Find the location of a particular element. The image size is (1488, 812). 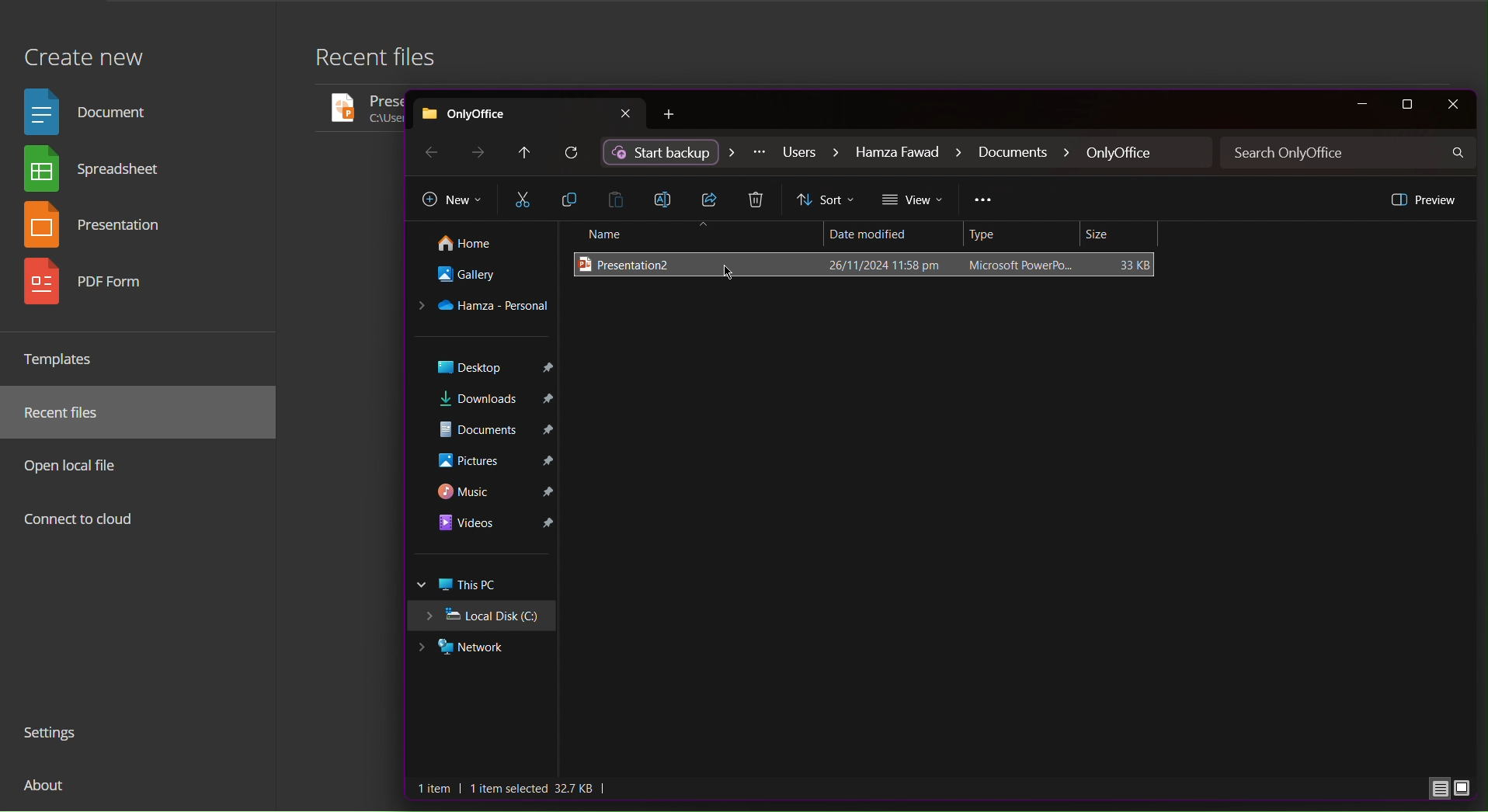

Address Bar is located at coordinates (908, 153).